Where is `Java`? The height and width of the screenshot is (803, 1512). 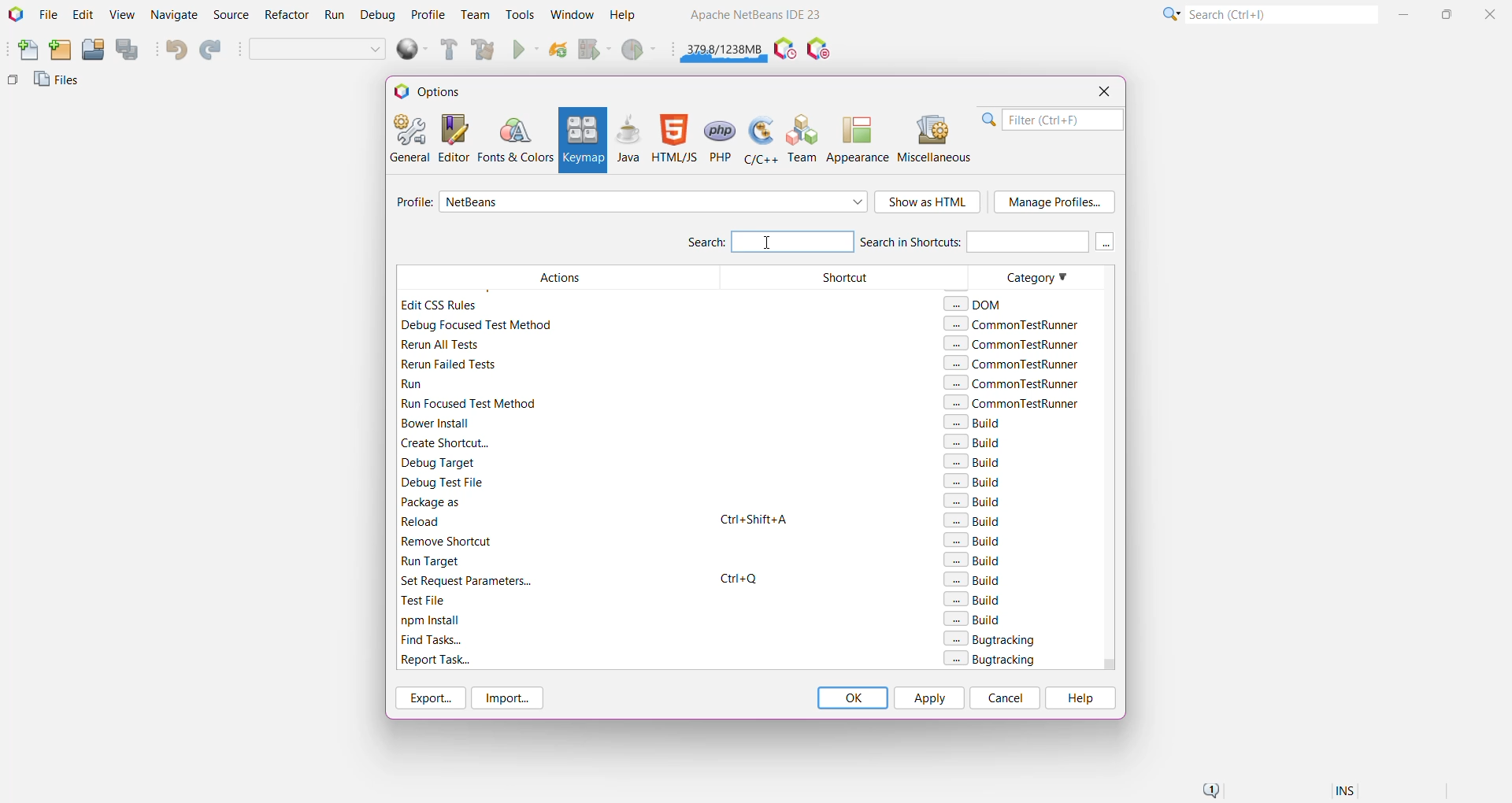
Java is located at coordinates (628, 139).